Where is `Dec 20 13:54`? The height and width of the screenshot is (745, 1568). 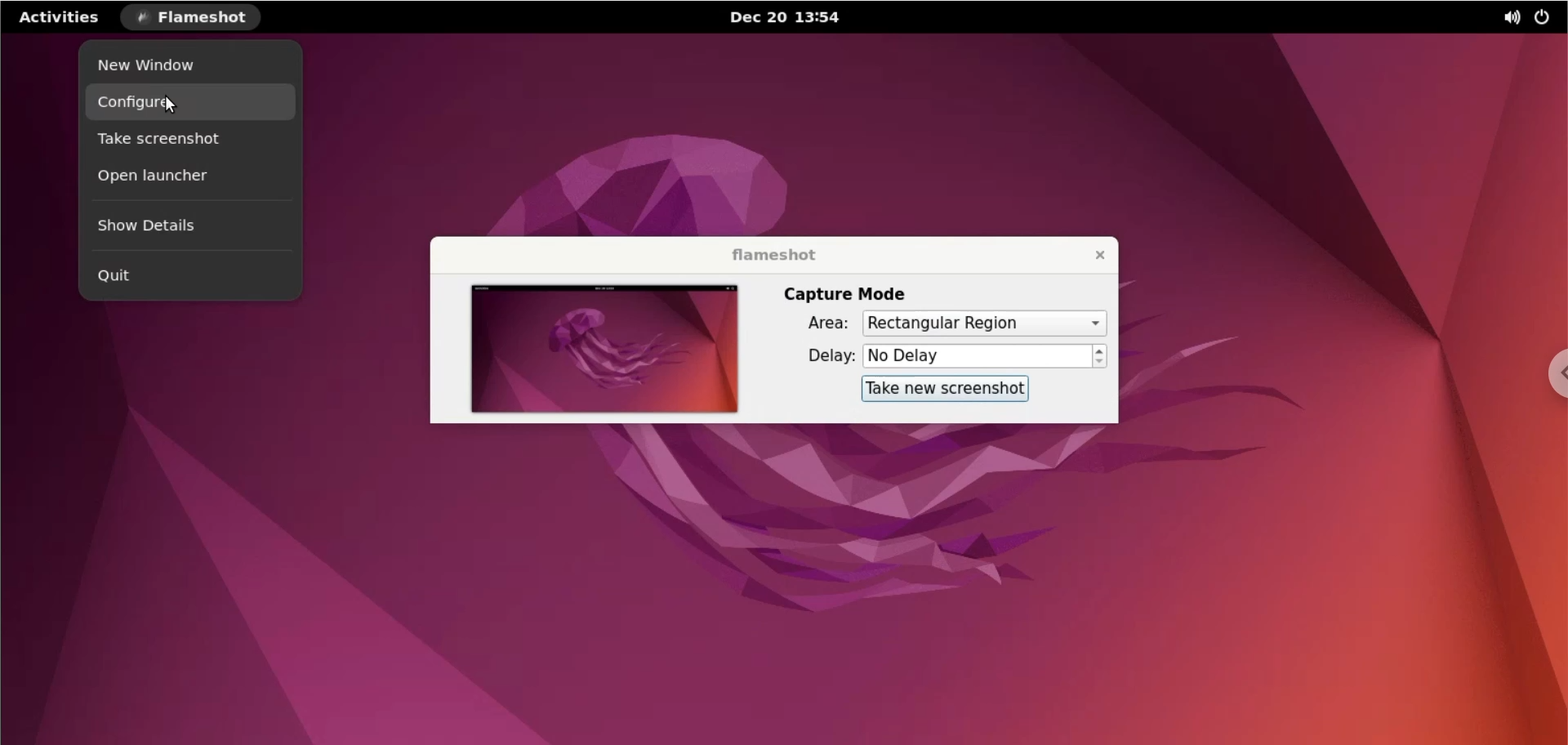 Dec 20 13:54 is located at coordinates (795, 19).